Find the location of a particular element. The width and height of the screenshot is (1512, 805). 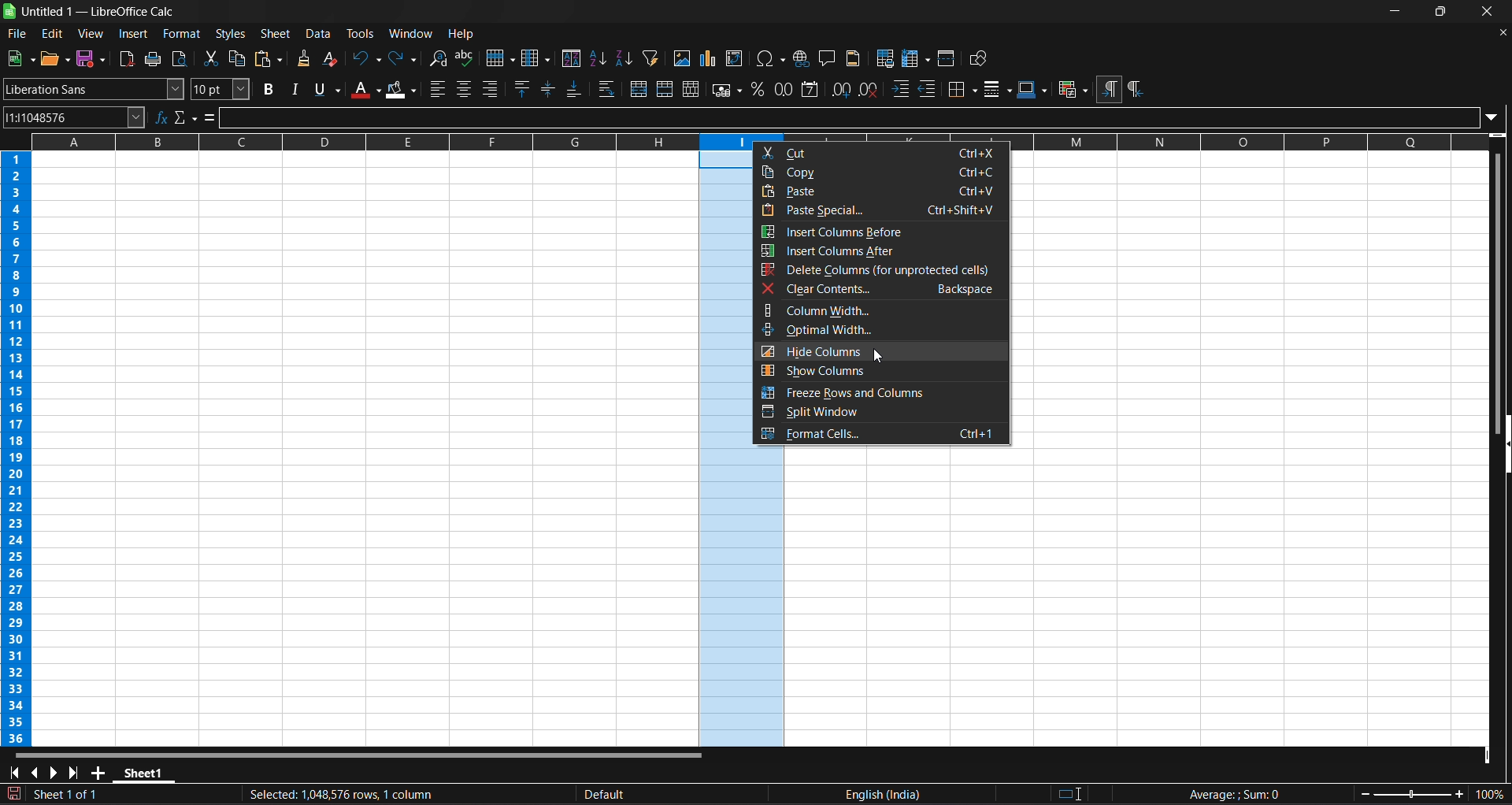

select function is located at coordinates (187, 117).